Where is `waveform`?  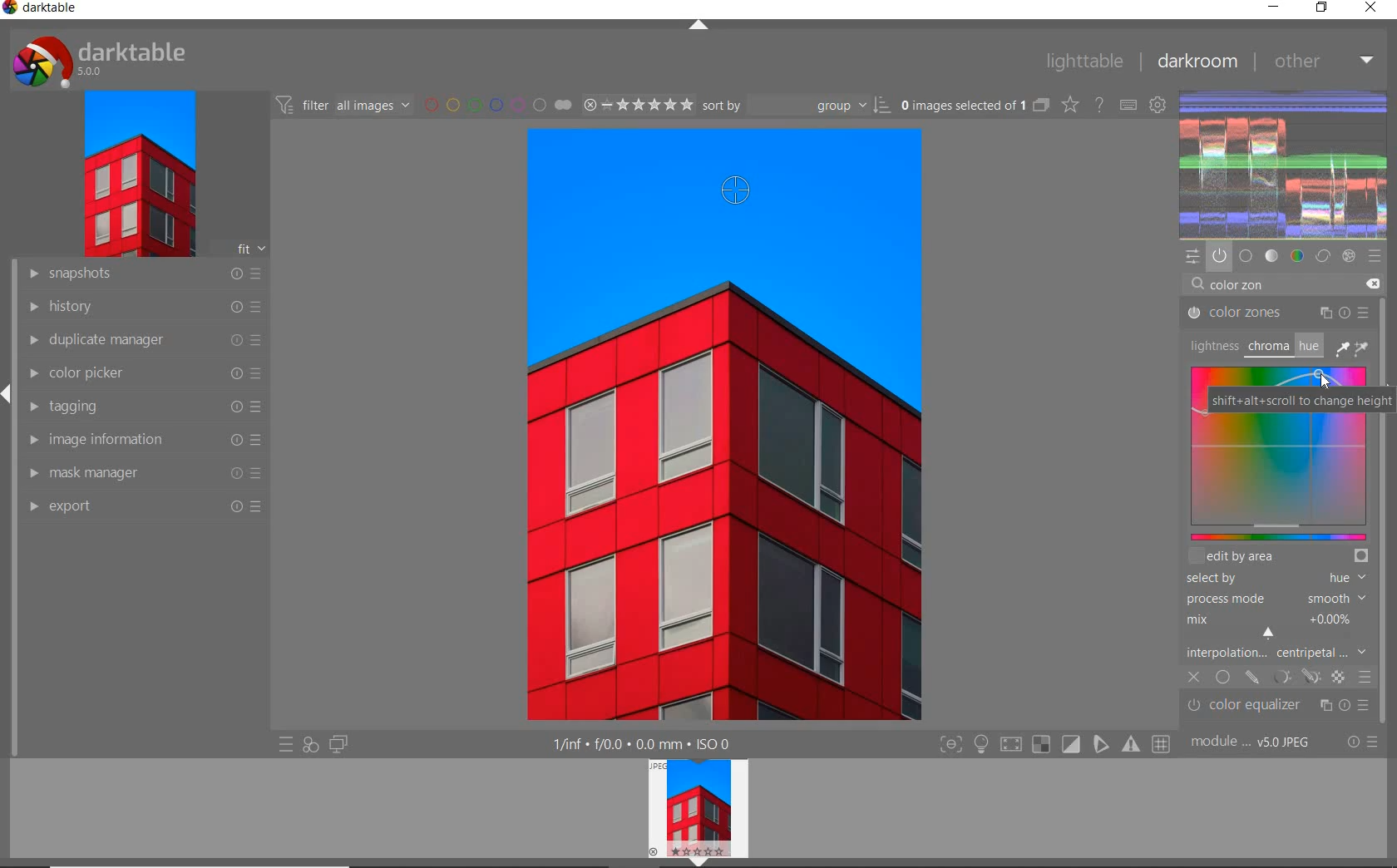
waveform is located at coordinates (1285, 163).